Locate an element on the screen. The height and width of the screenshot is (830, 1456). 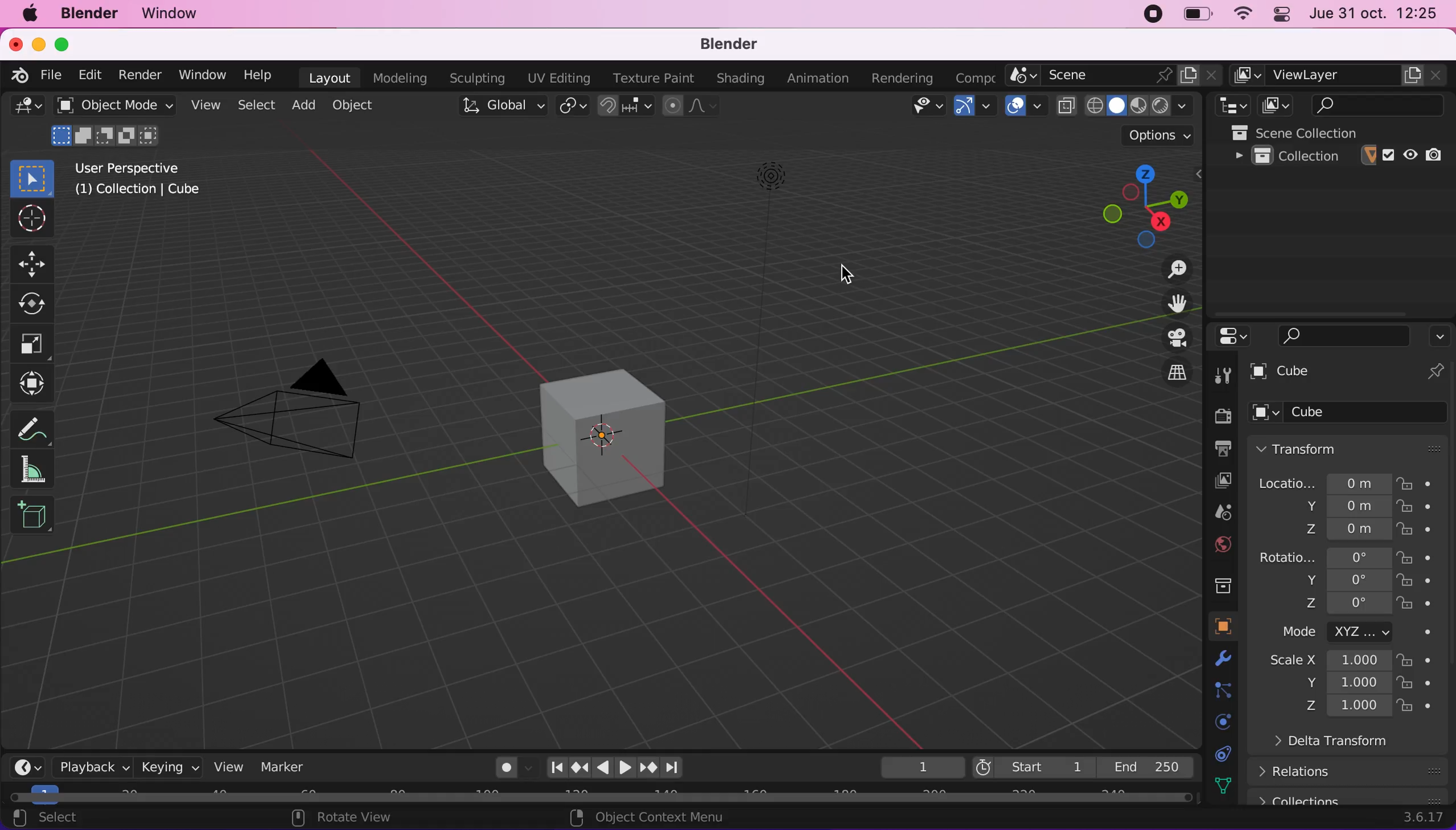
editor type is located at coordinates (1229, 105).